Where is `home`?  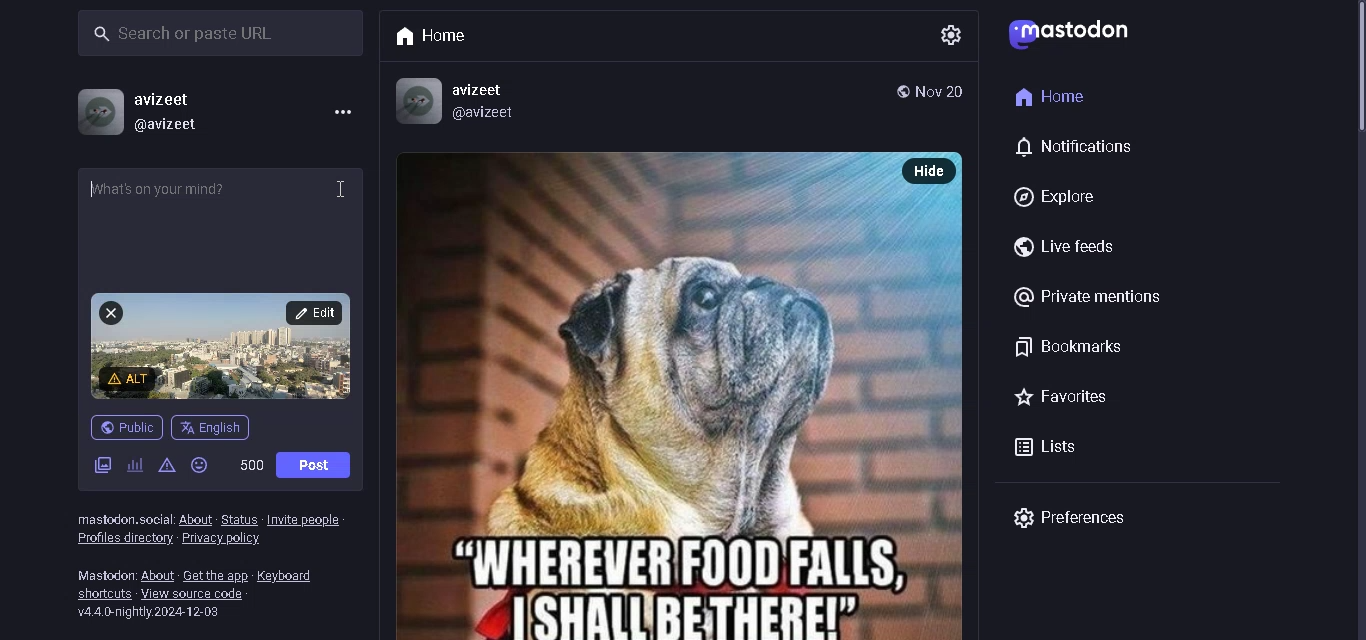
home is located at coordinates (1047, 94).